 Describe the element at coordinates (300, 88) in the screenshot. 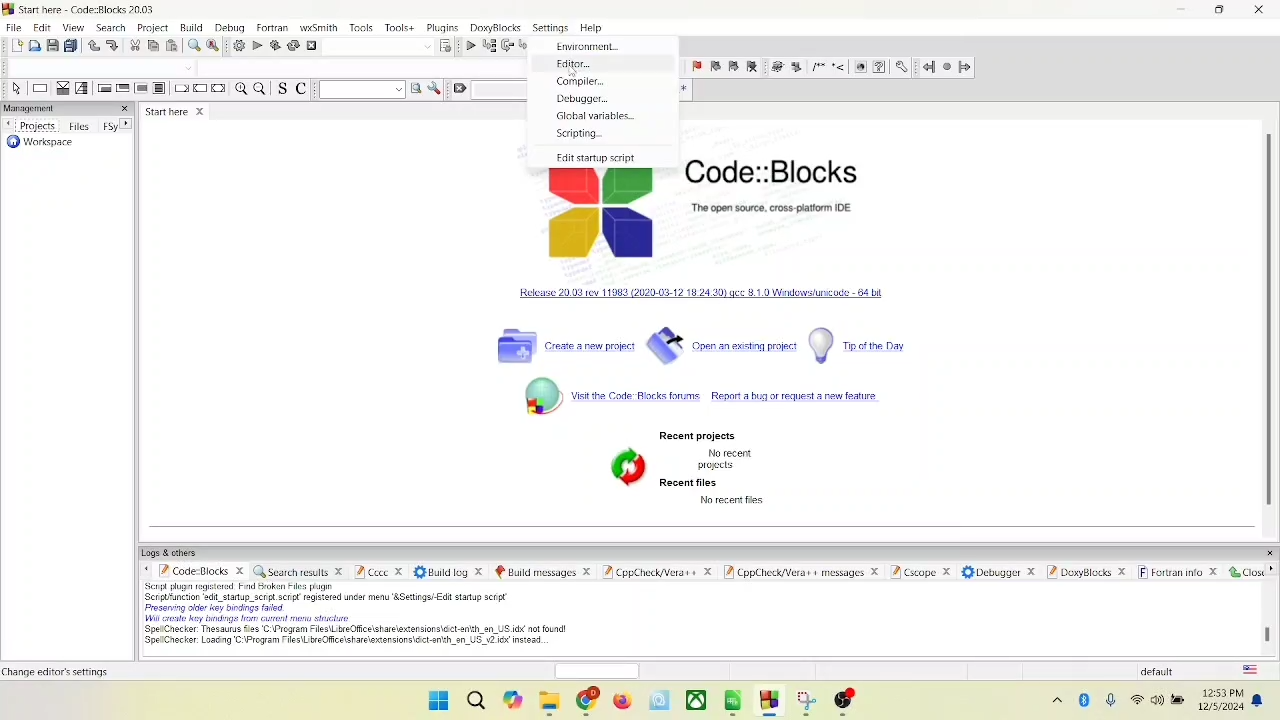

I see `toggle comment` at that location.